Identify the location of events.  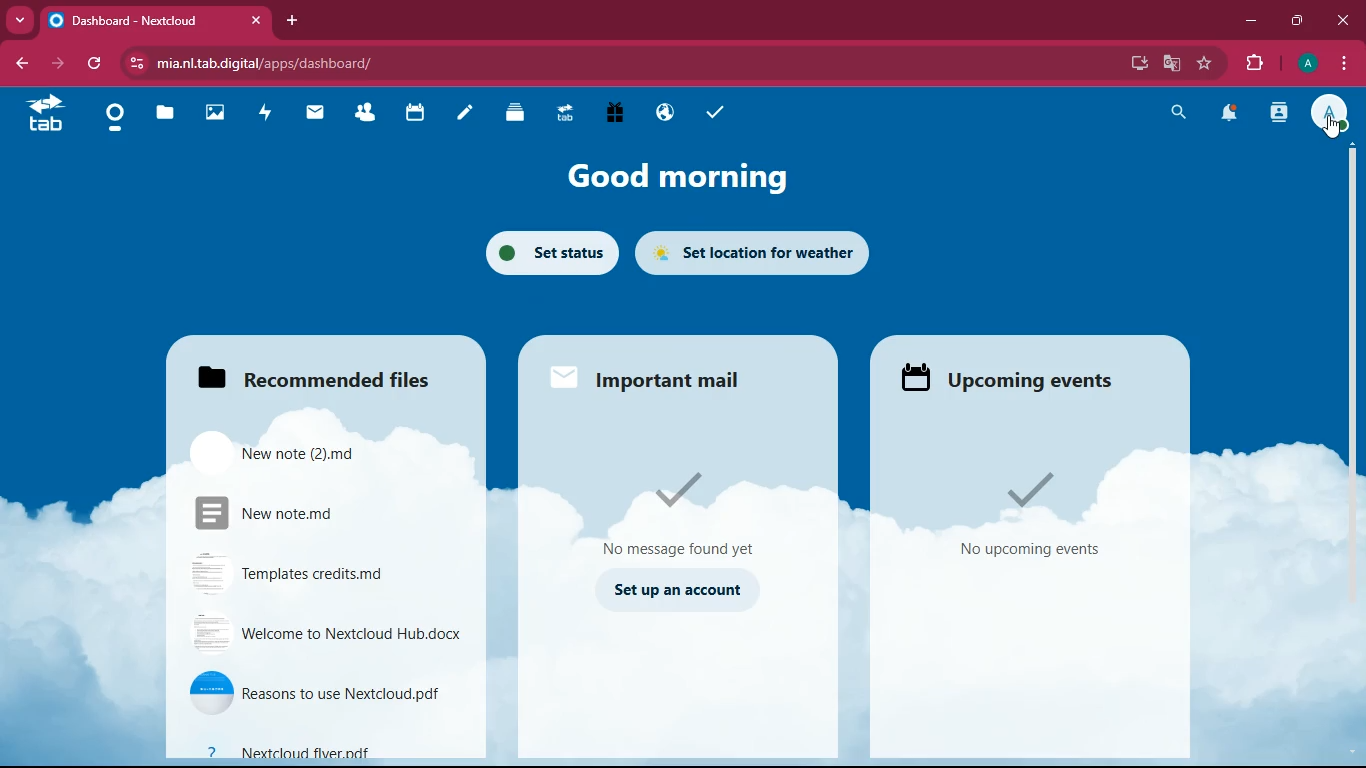
(1043, 516).